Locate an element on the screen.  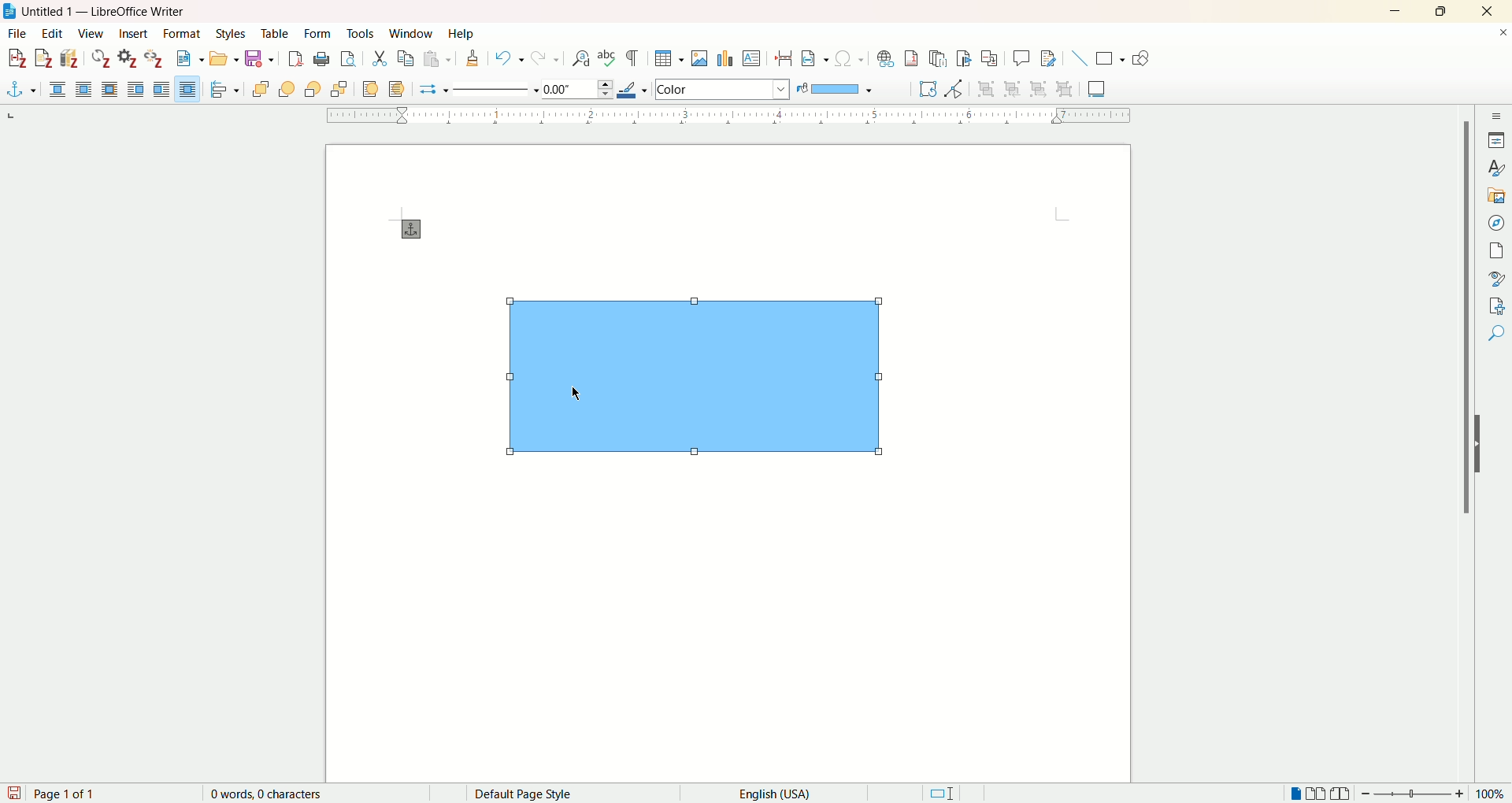
ungroup is located at coordinates (1066, 90).